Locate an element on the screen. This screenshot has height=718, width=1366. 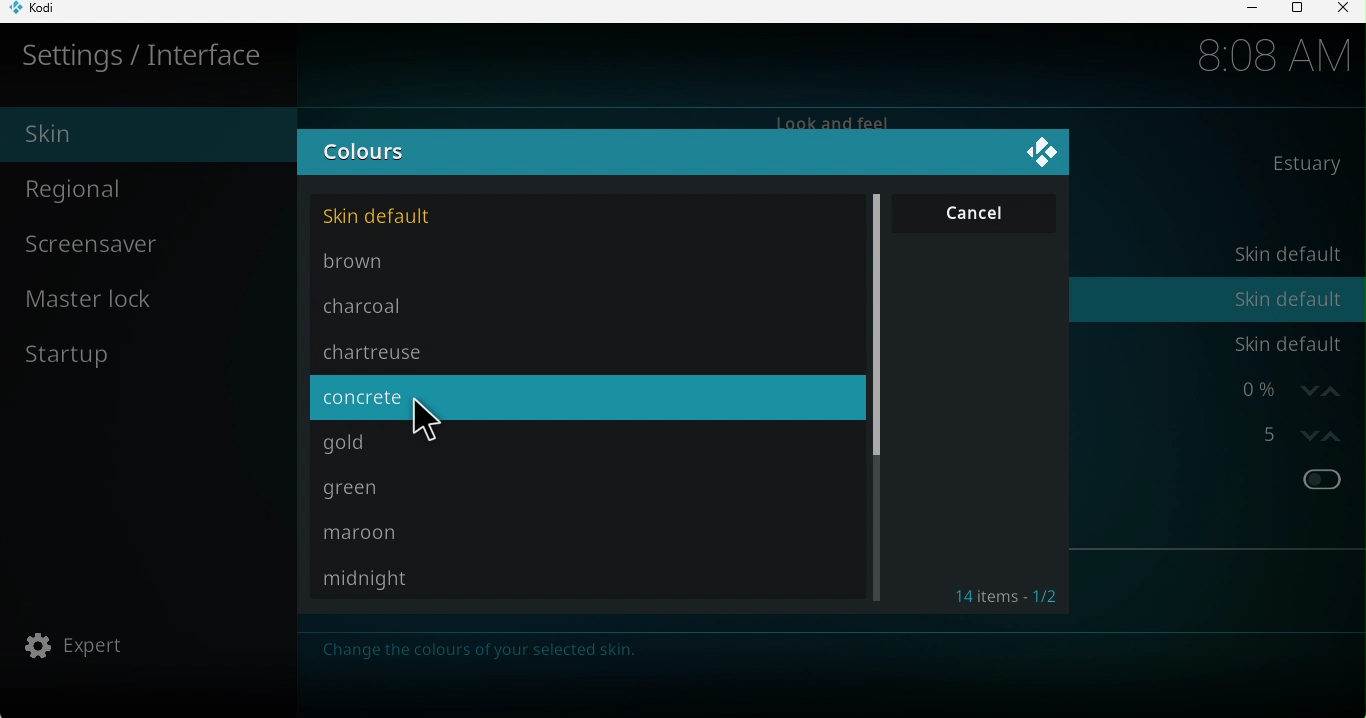
Maroon is located at coordinates (578, 536).